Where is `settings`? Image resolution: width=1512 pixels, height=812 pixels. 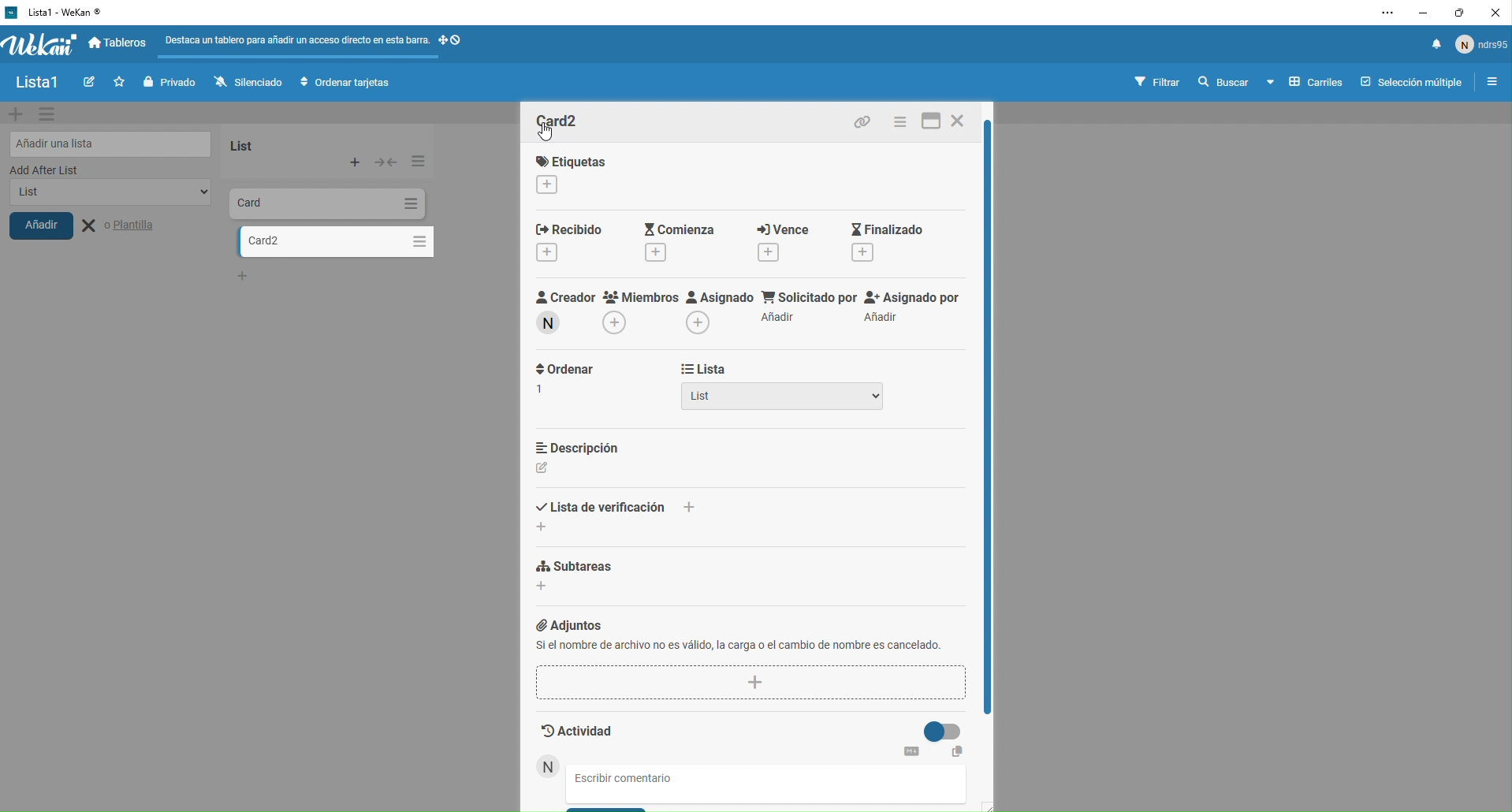 settings is located at coordinates (1380, 14).